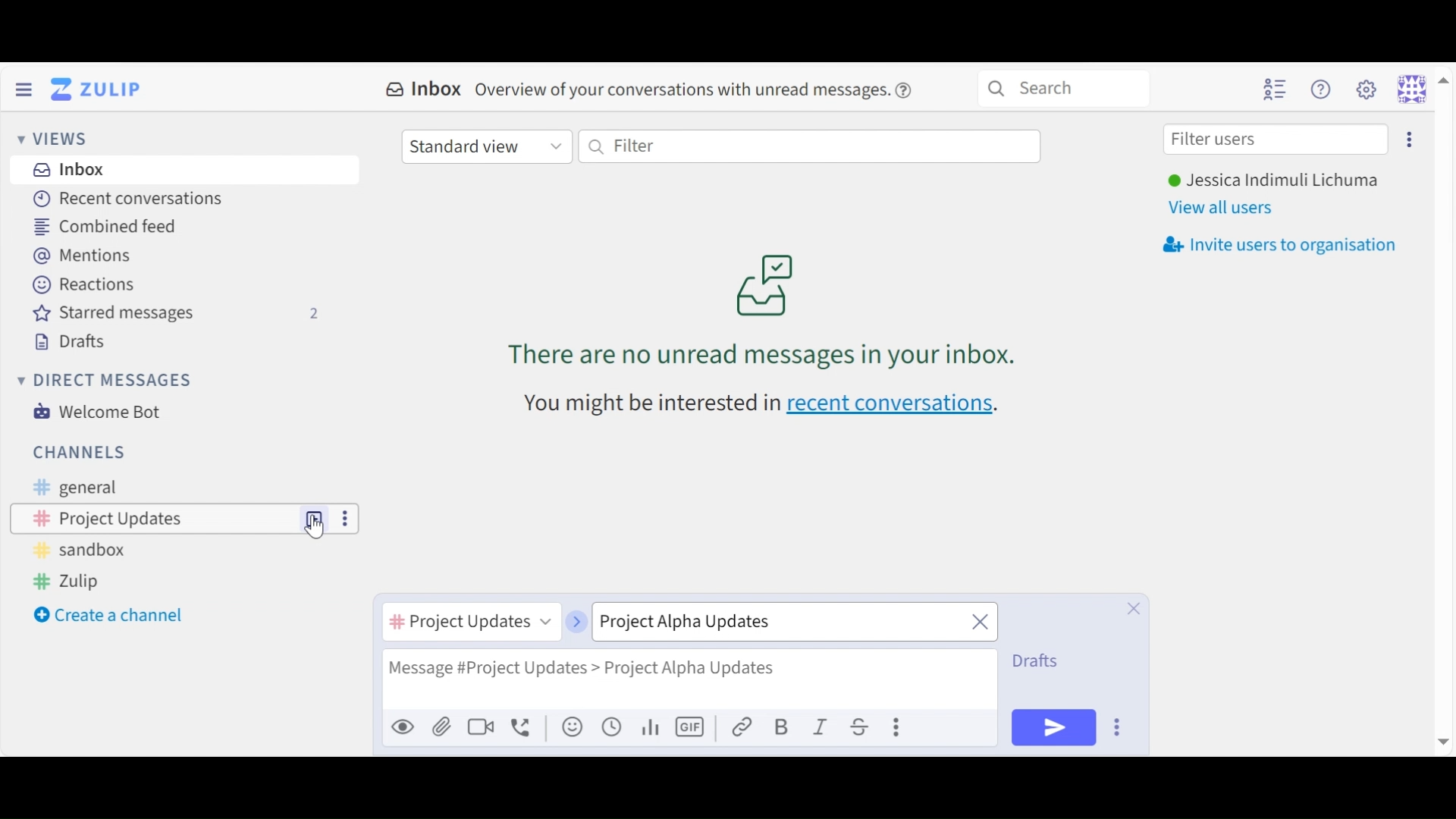 This screenshot has height=819, width=1456. What do you see at coordinates (1366, 88) in the screenshot?
I see `Settings menu` at bounding box center [1366, 88].